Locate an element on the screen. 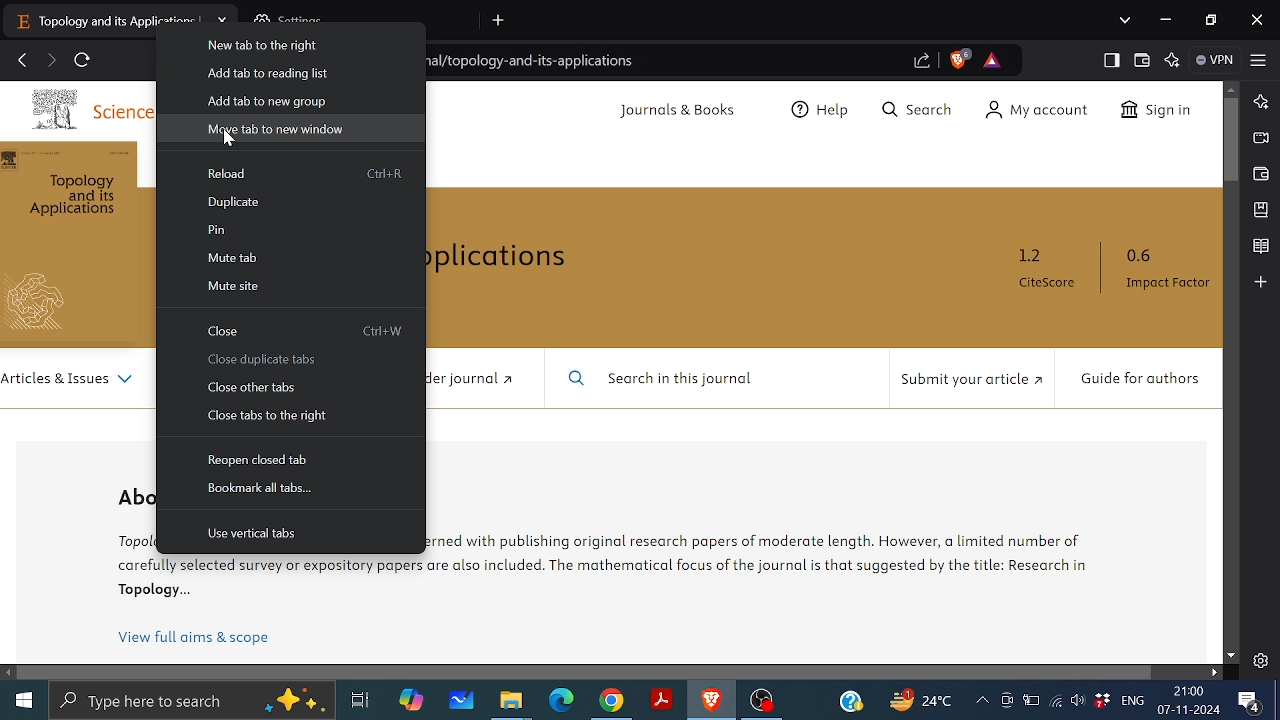  Move tab to new window is located at coordinates (276, 130).